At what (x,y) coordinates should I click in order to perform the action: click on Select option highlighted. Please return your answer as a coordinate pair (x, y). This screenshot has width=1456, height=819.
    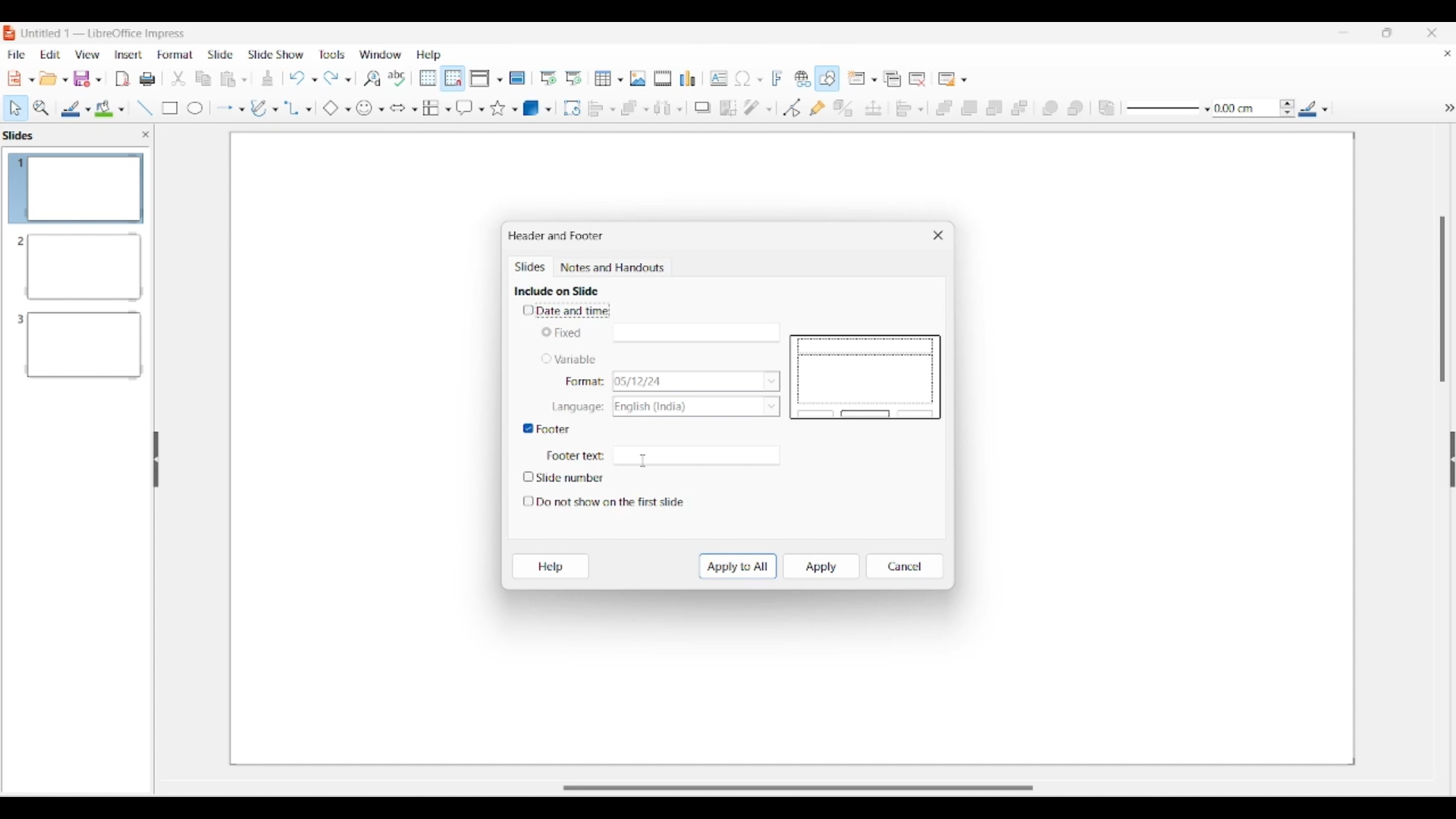
    Looking at the image, I should click on (15, 108).